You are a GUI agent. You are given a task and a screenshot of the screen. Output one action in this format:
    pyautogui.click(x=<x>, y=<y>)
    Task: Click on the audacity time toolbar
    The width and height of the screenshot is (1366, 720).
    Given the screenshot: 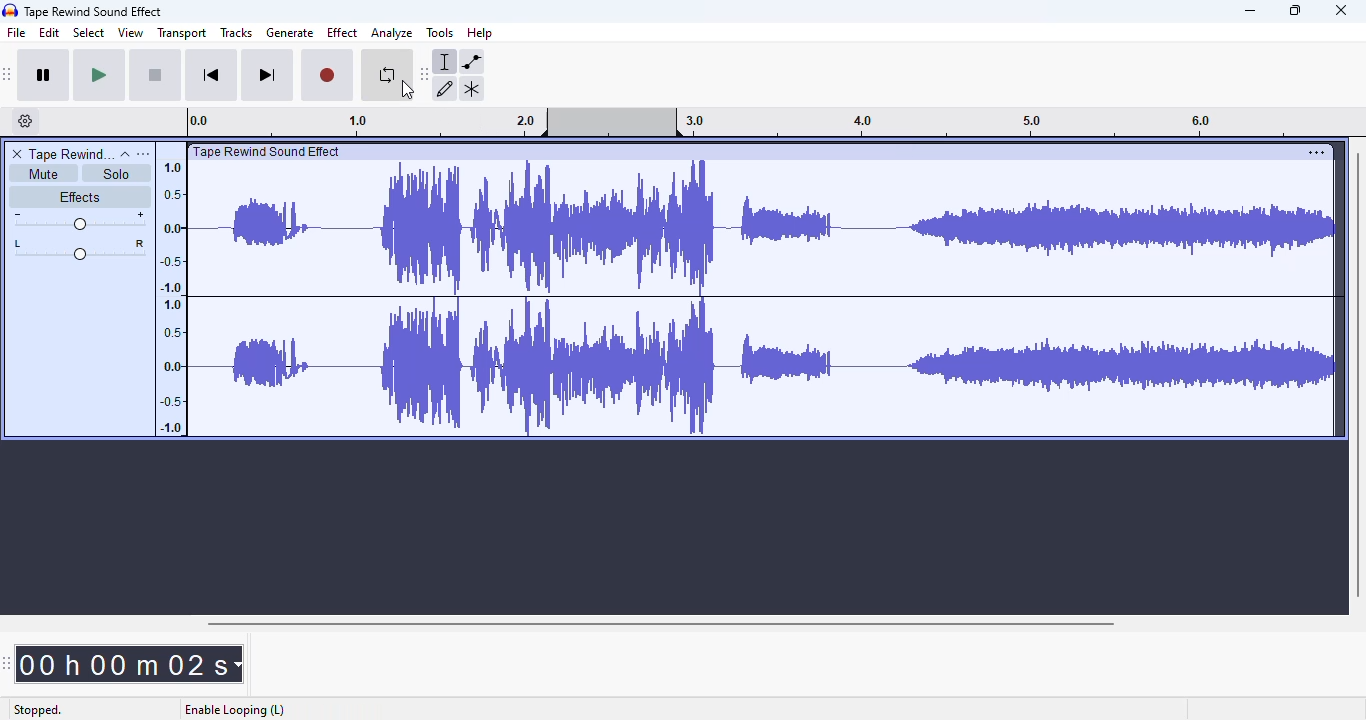 What is the action you would take?
    pyautogui.click(x=7, y=662)
    